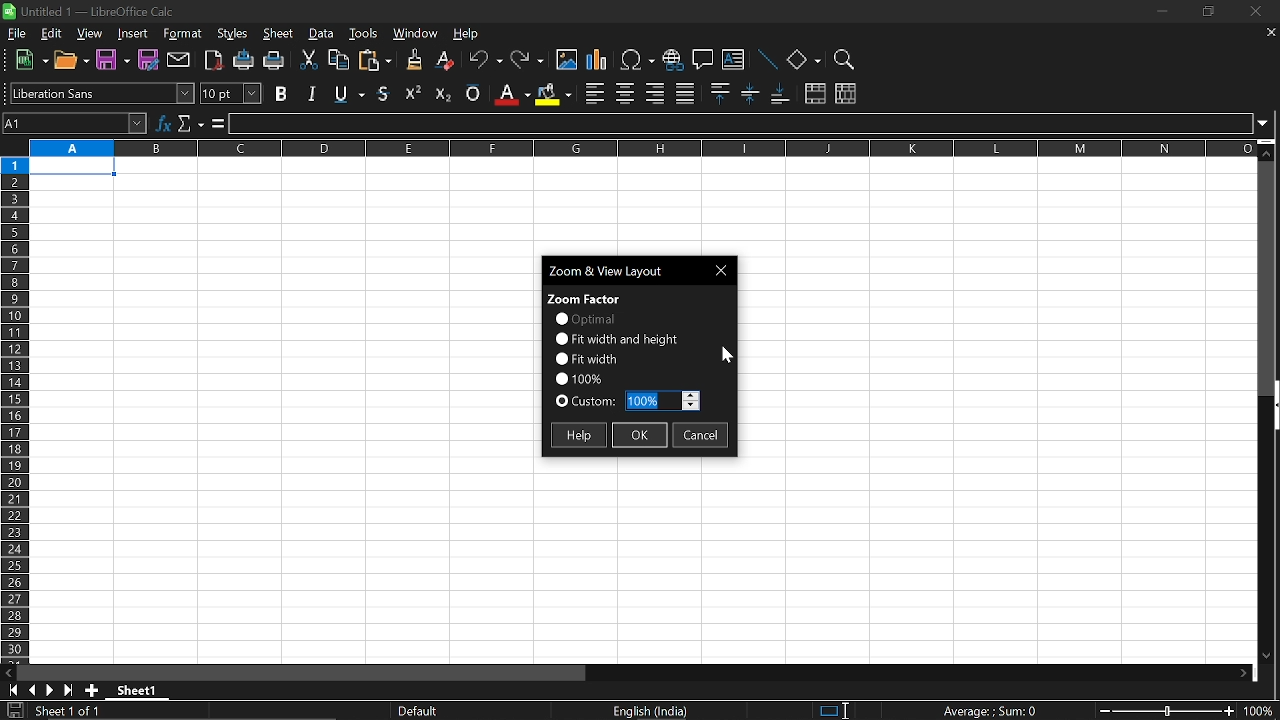  I want to click on insert image, so click(567, 60).